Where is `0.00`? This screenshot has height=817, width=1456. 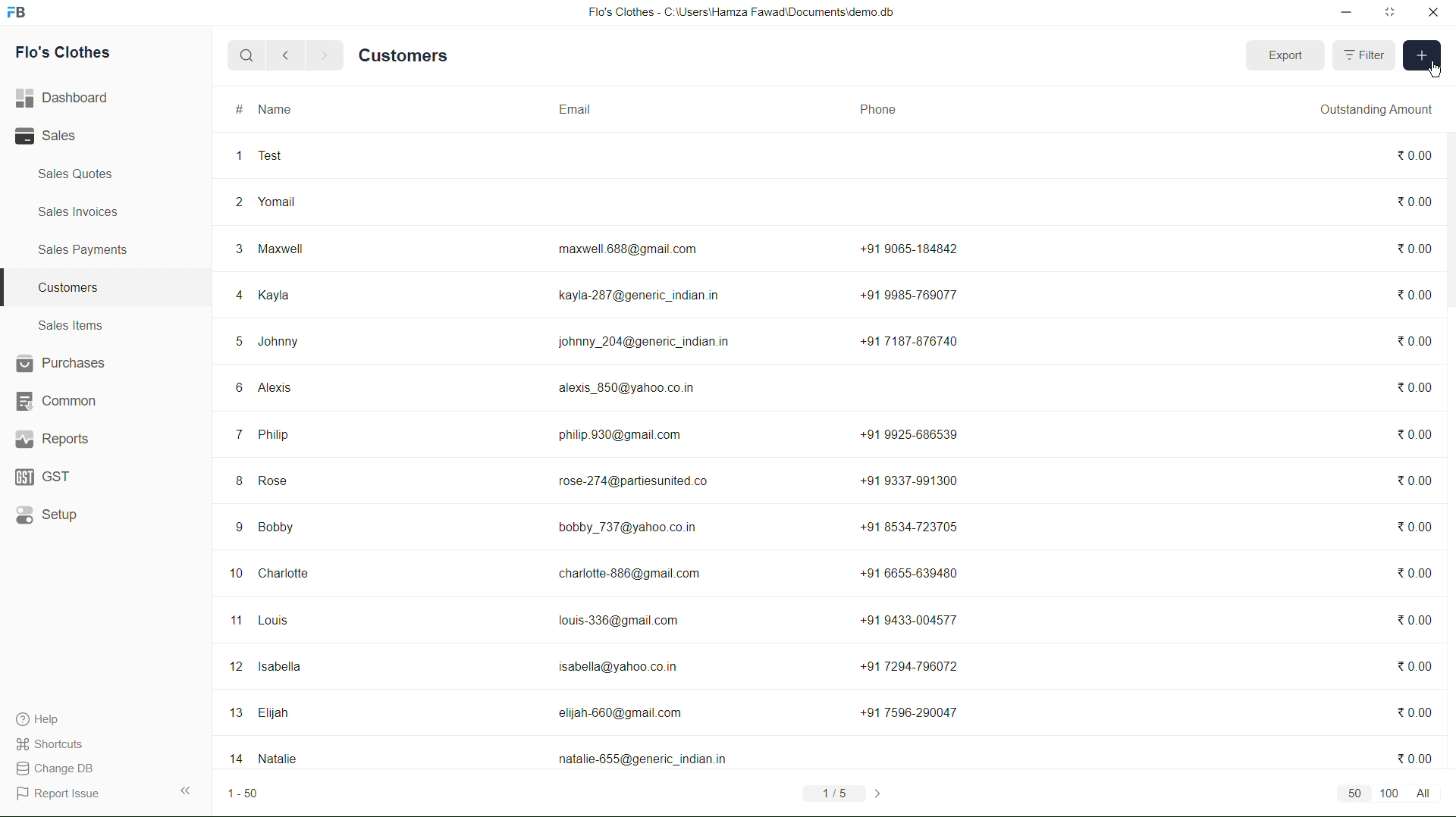
0.00 is located at coordinates (1409, 337).